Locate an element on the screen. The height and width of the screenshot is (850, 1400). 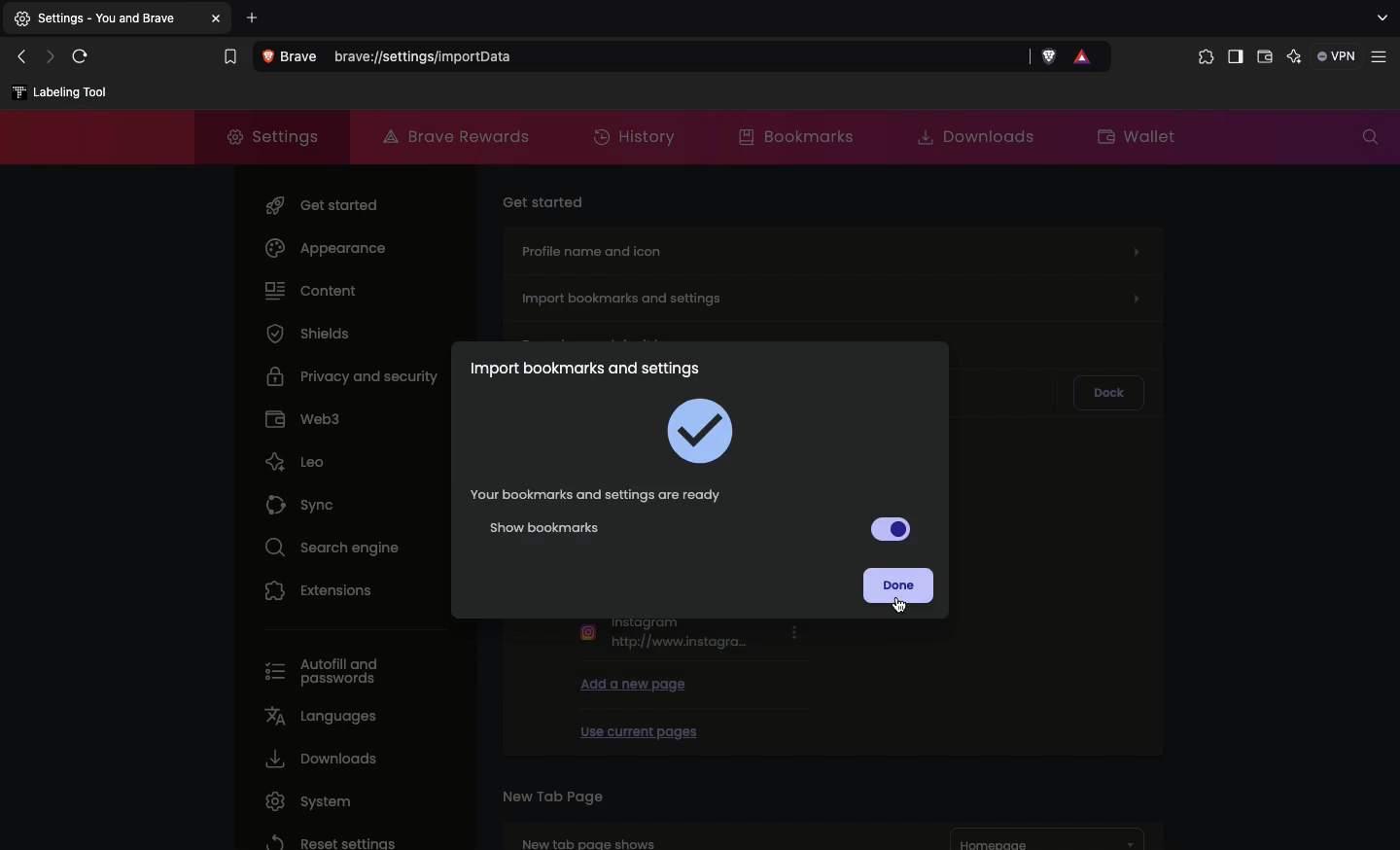
Instagram is located at coordinates (690, 636).